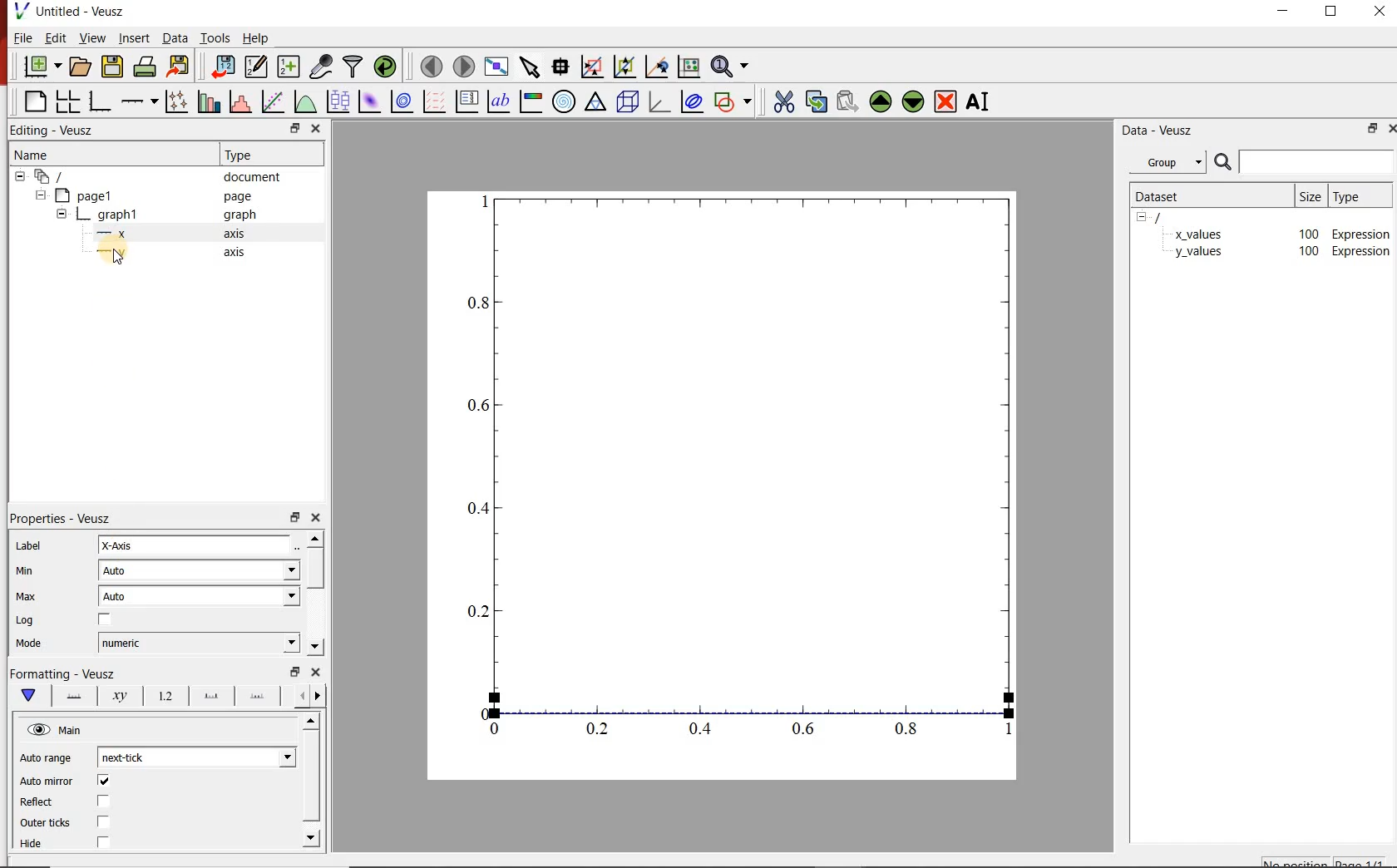 Image resolution: width=1397 pixels, height=868 pixels. I want to click on view plot fullscreen, so click(499, 67).